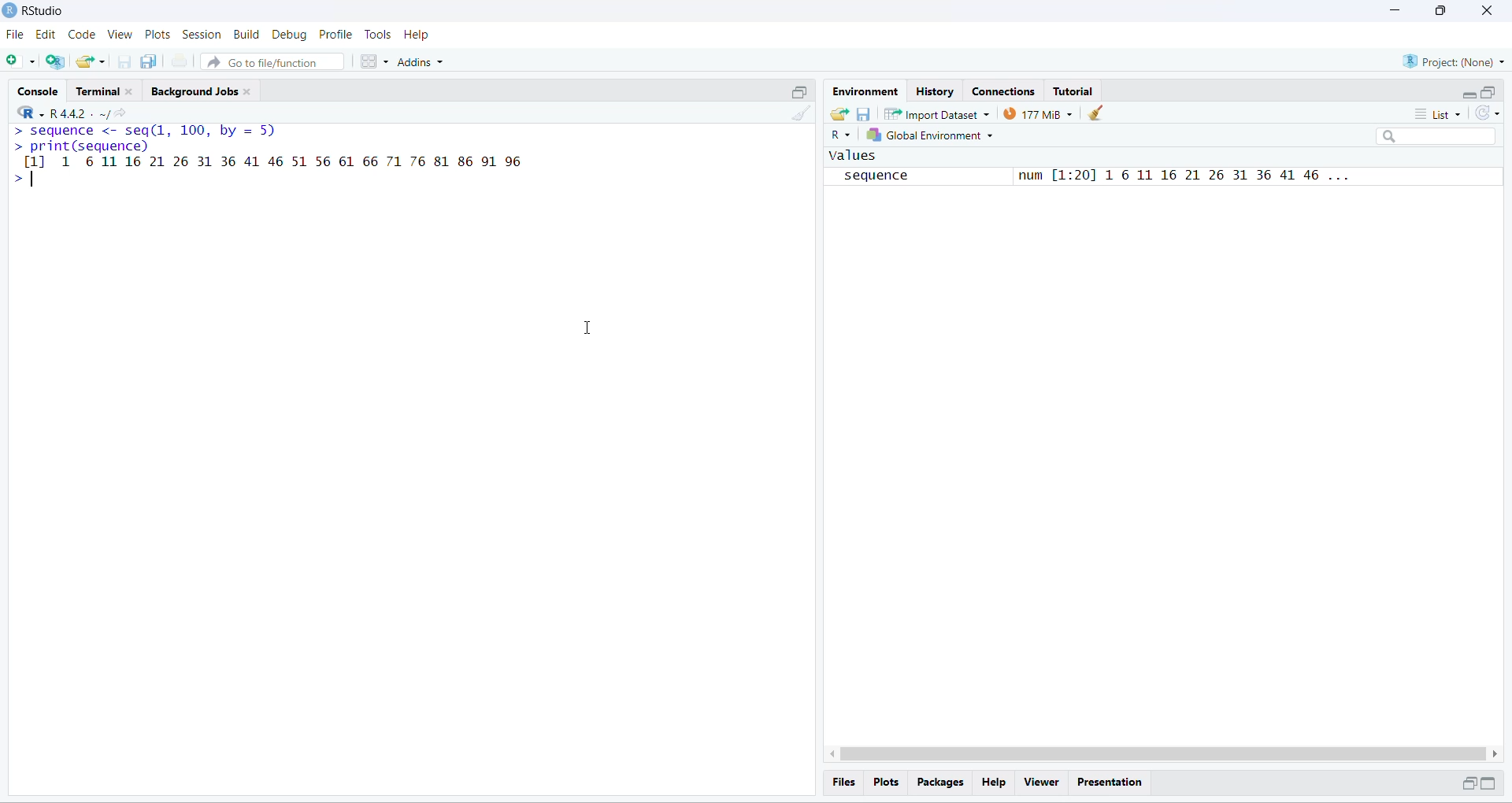 The width and height of the screenshot is (1512, 803). Describe the element at coordinates (423, 62) in the screenshot. I see `addins` at that location.